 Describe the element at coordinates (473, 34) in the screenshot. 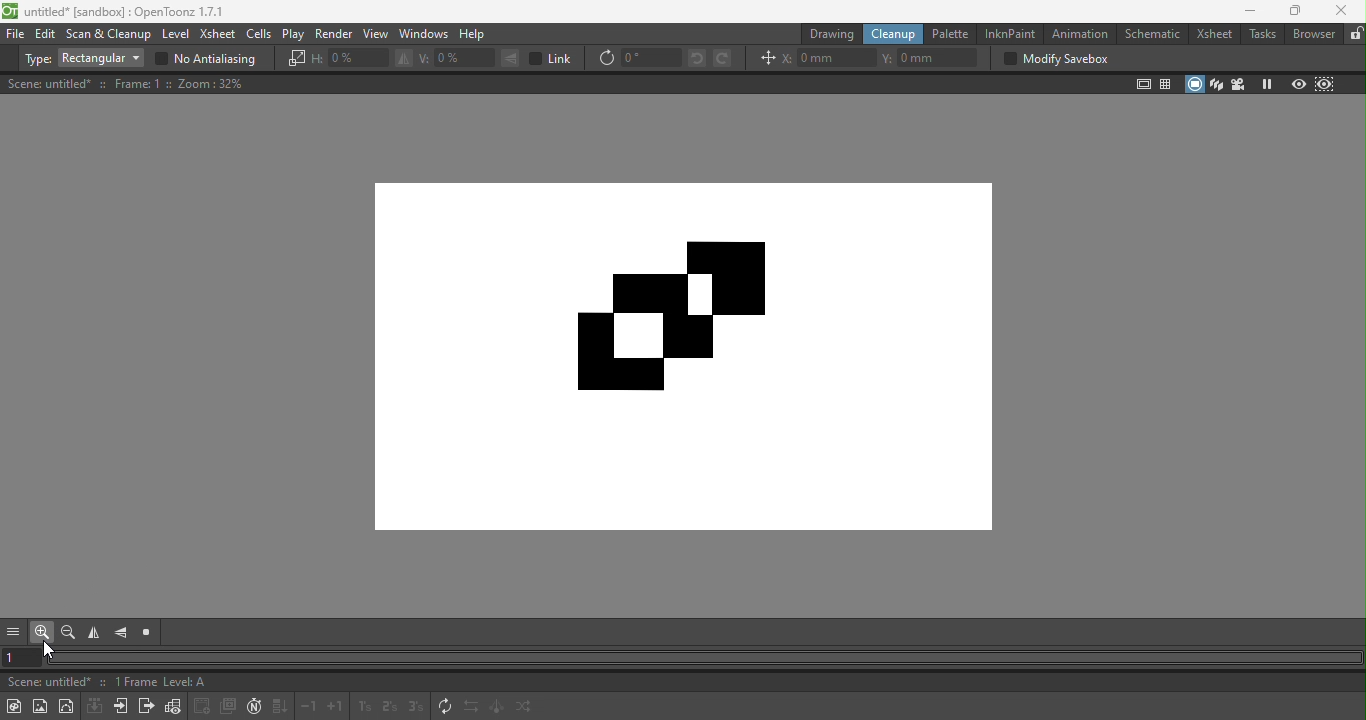

I see `Help` at that location.